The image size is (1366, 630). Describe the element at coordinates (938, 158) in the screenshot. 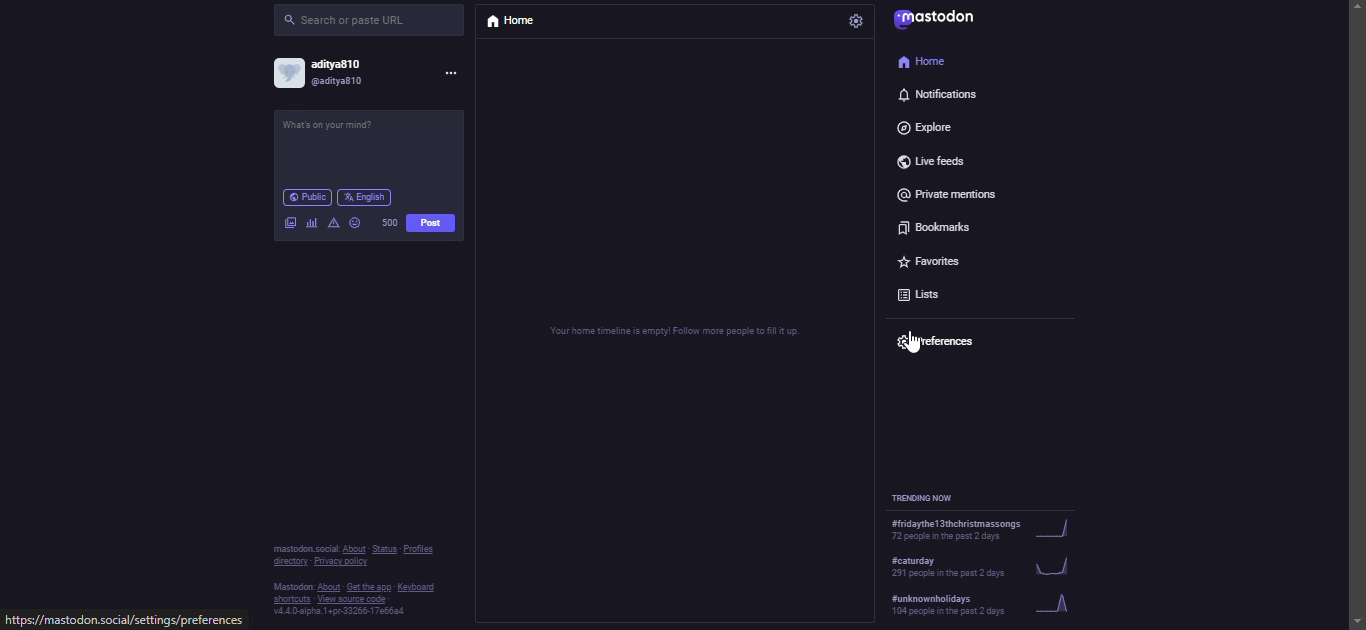

I see `live feeds` at that location.